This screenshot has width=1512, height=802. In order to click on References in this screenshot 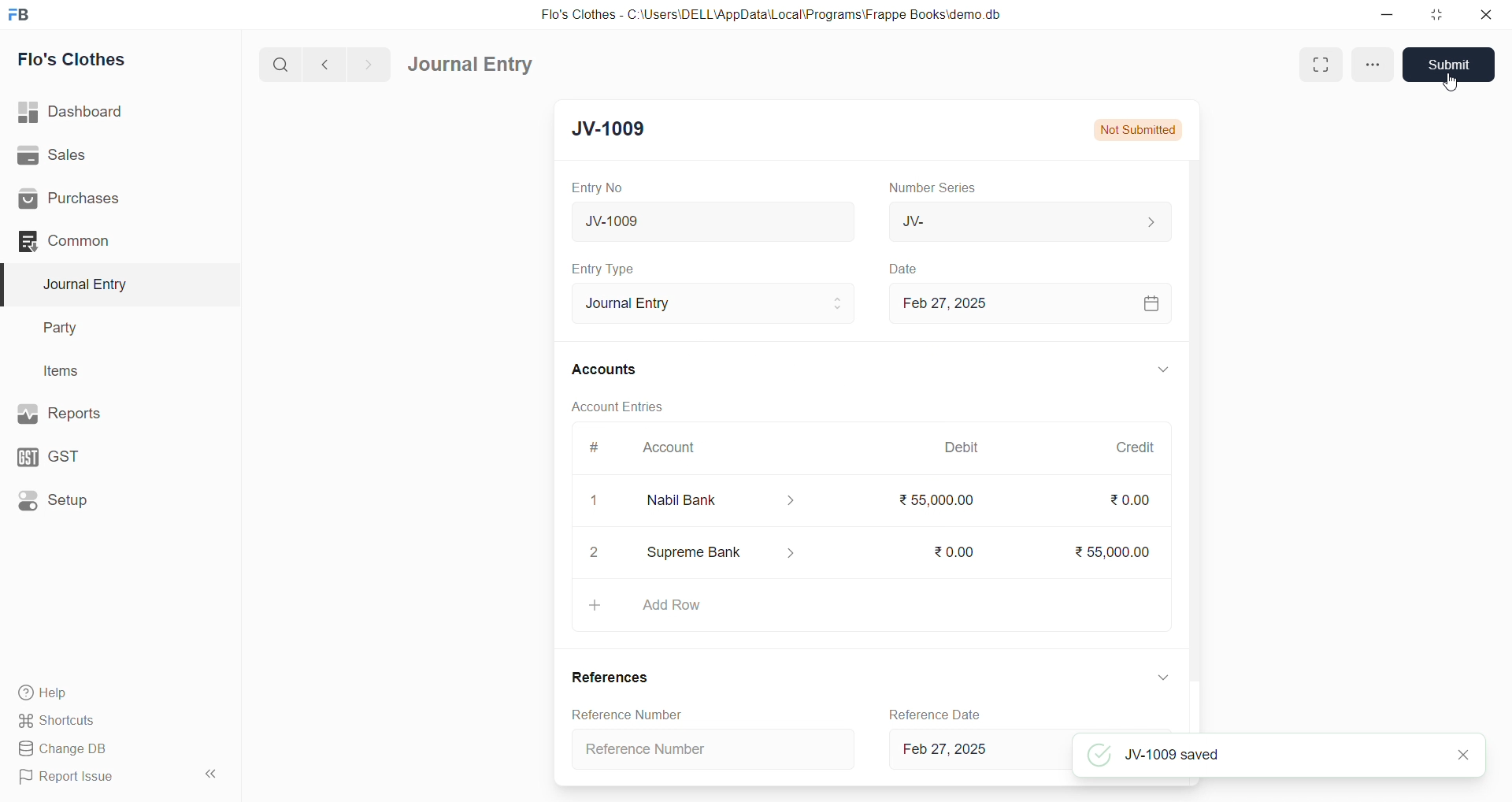, I will do `click(611, 675)`.